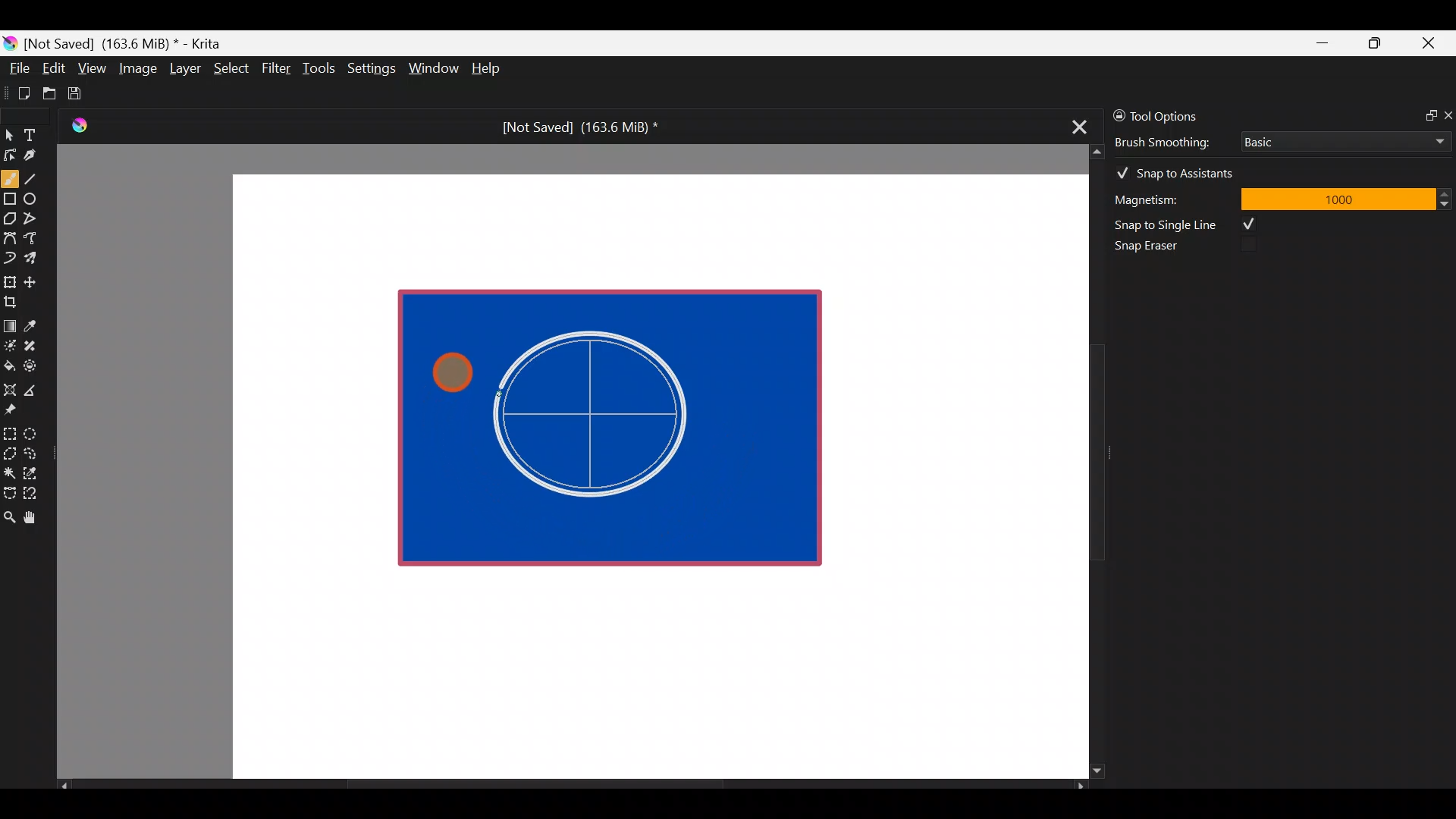  I want to click on Magnetism, so click(1168, 197).